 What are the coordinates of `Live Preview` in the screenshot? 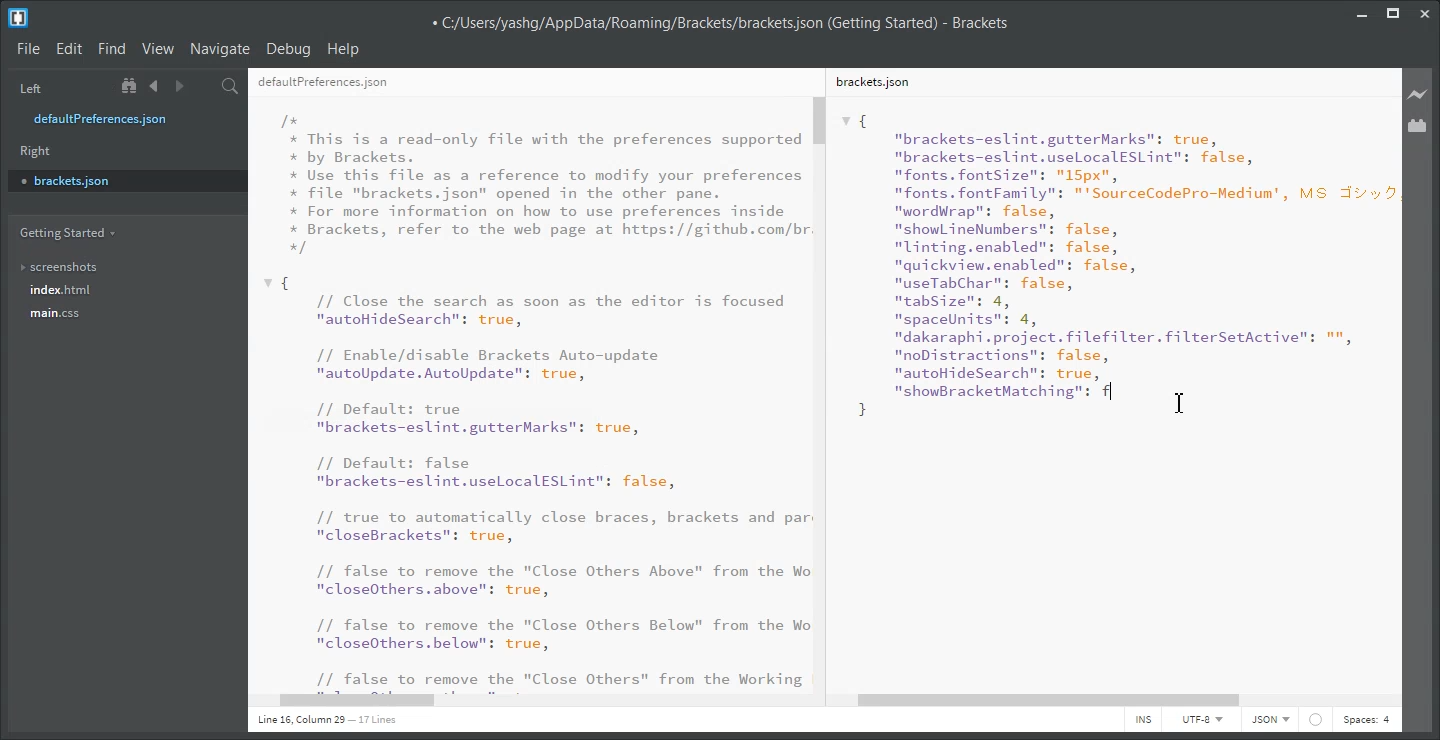 It's located at (1418, 93).